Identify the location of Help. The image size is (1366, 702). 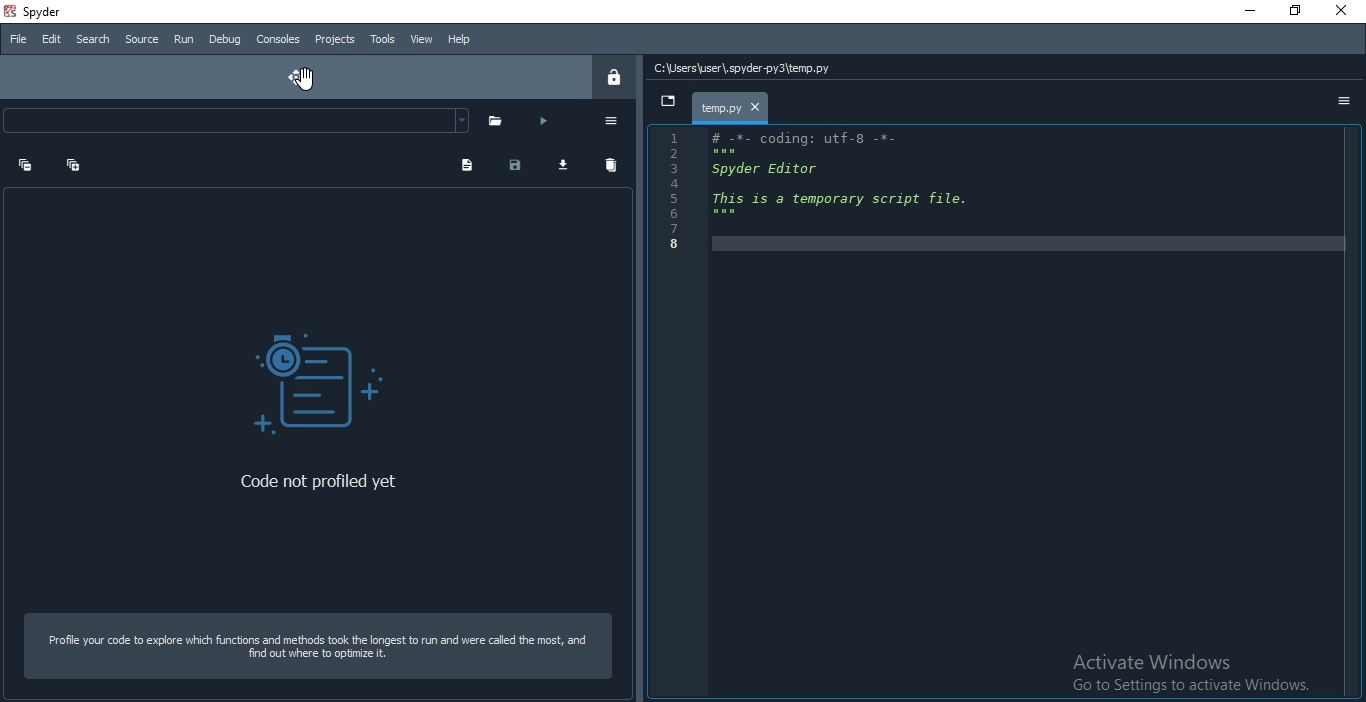
(456, 40).